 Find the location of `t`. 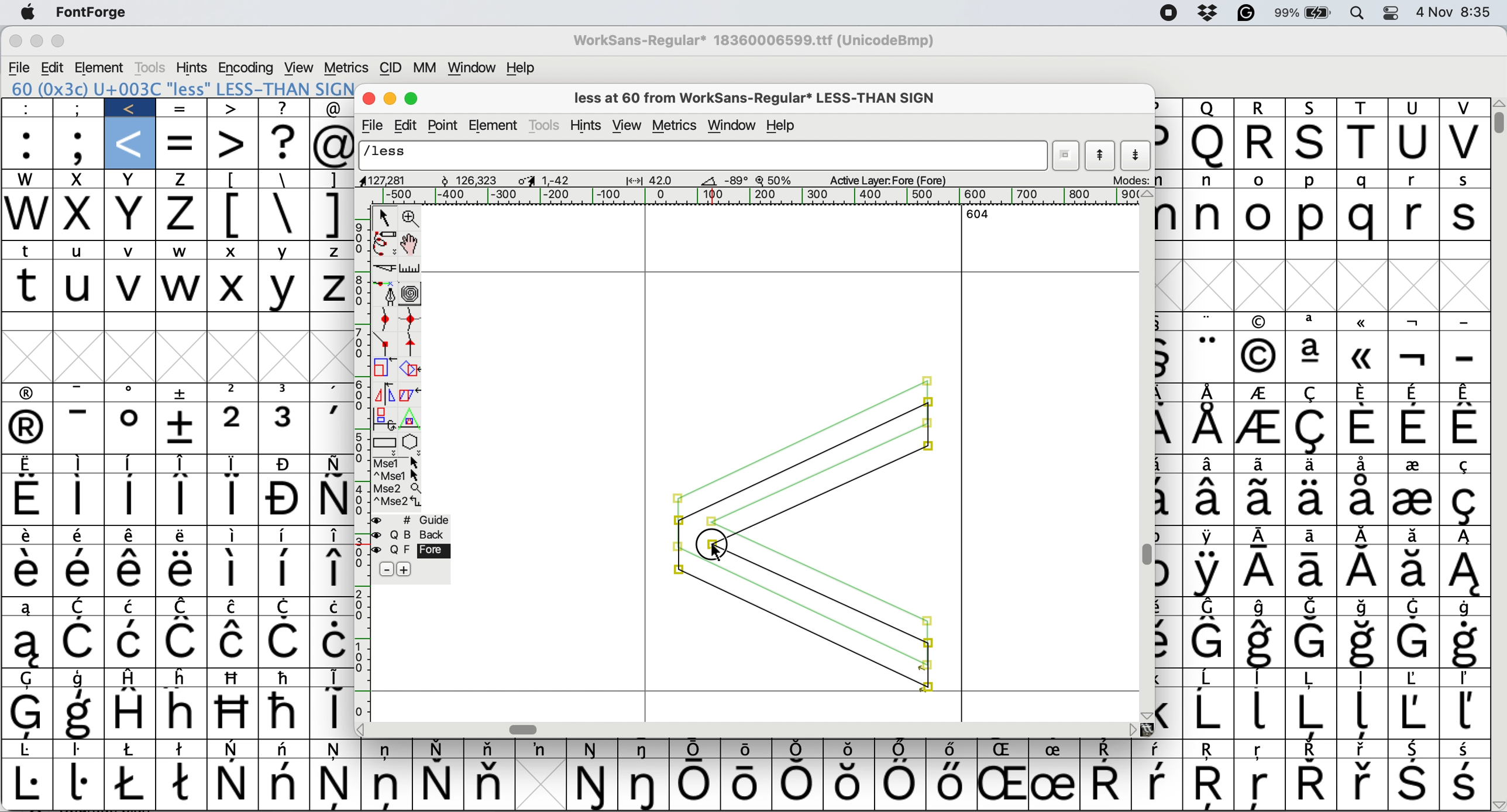

t is located at coordinates (29, 285).